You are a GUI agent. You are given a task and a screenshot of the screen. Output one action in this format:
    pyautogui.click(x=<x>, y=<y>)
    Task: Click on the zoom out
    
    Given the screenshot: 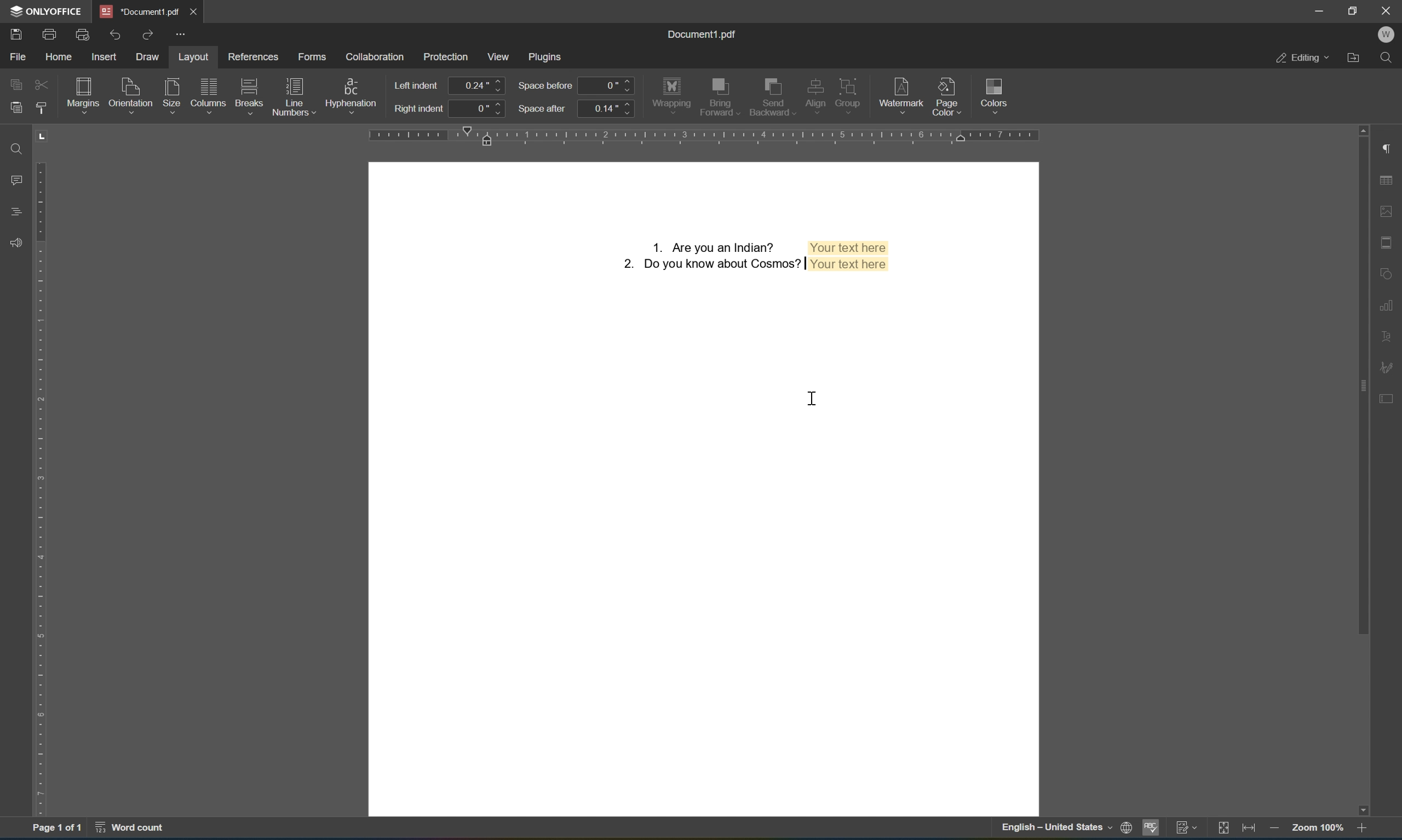 What is the action you would take?
    pyautogui.click(x=1272, y=830)
    